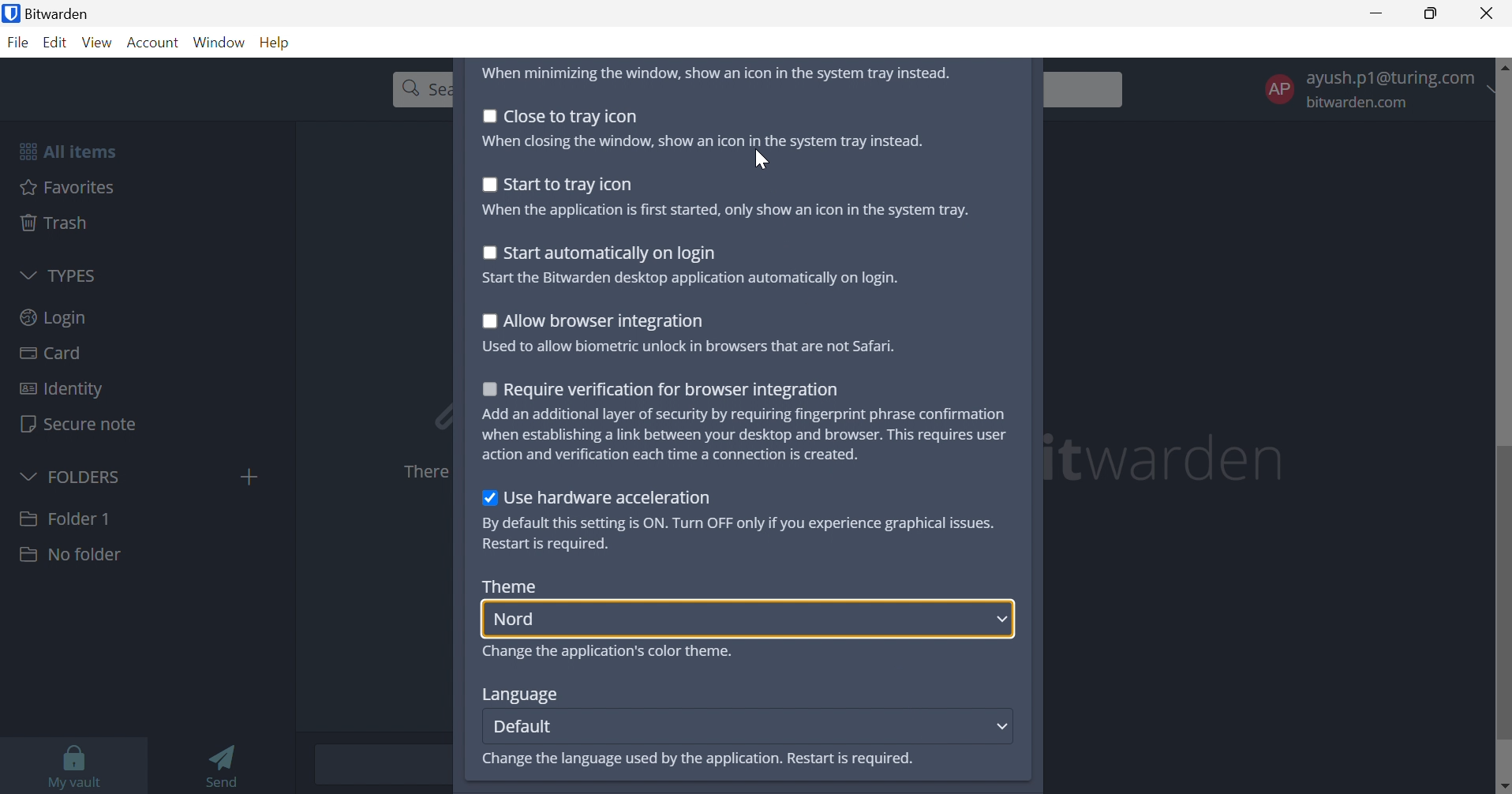 Image resolution: width=1512 pixels, height=794 pixels. Describe the element at coordinates (692, 279) in the screenshot. I see `Start the Bitwarden desktop application automatically on login.` at that location.